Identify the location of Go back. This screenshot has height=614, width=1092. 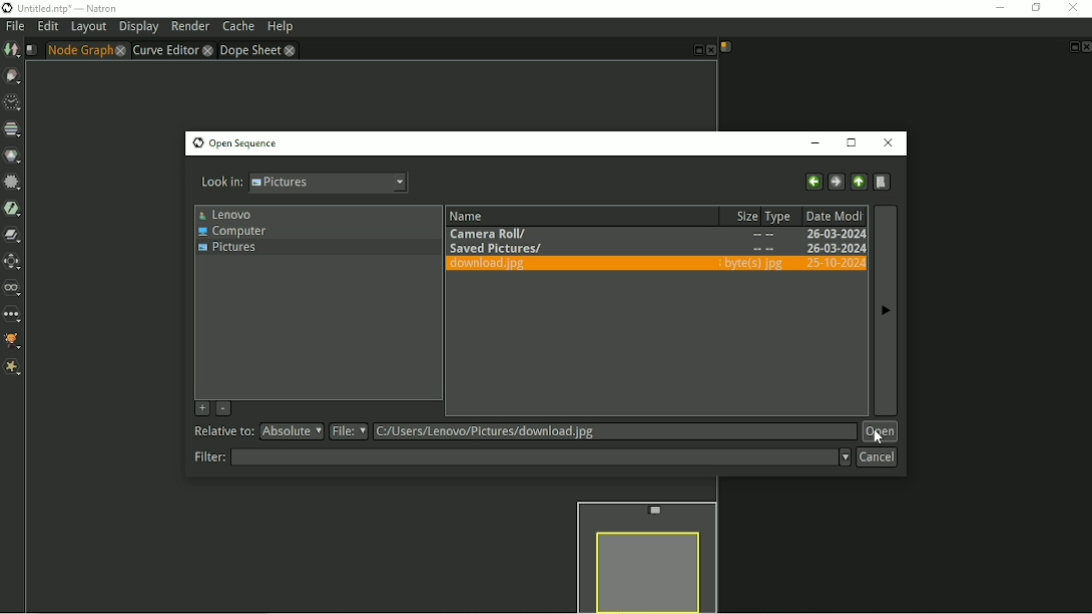
(812, 182).